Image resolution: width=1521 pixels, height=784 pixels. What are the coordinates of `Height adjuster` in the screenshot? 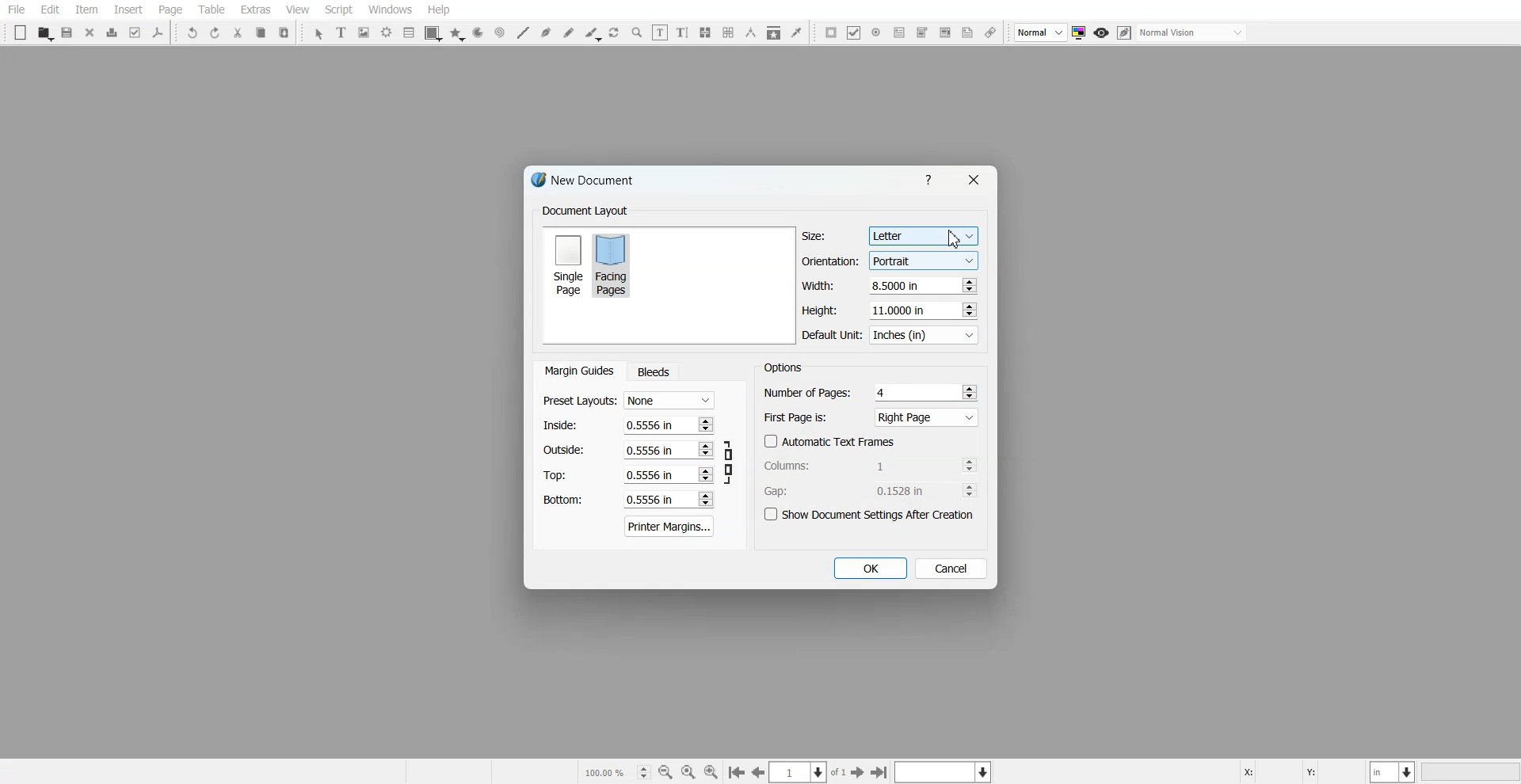 It's located at (890, 310).